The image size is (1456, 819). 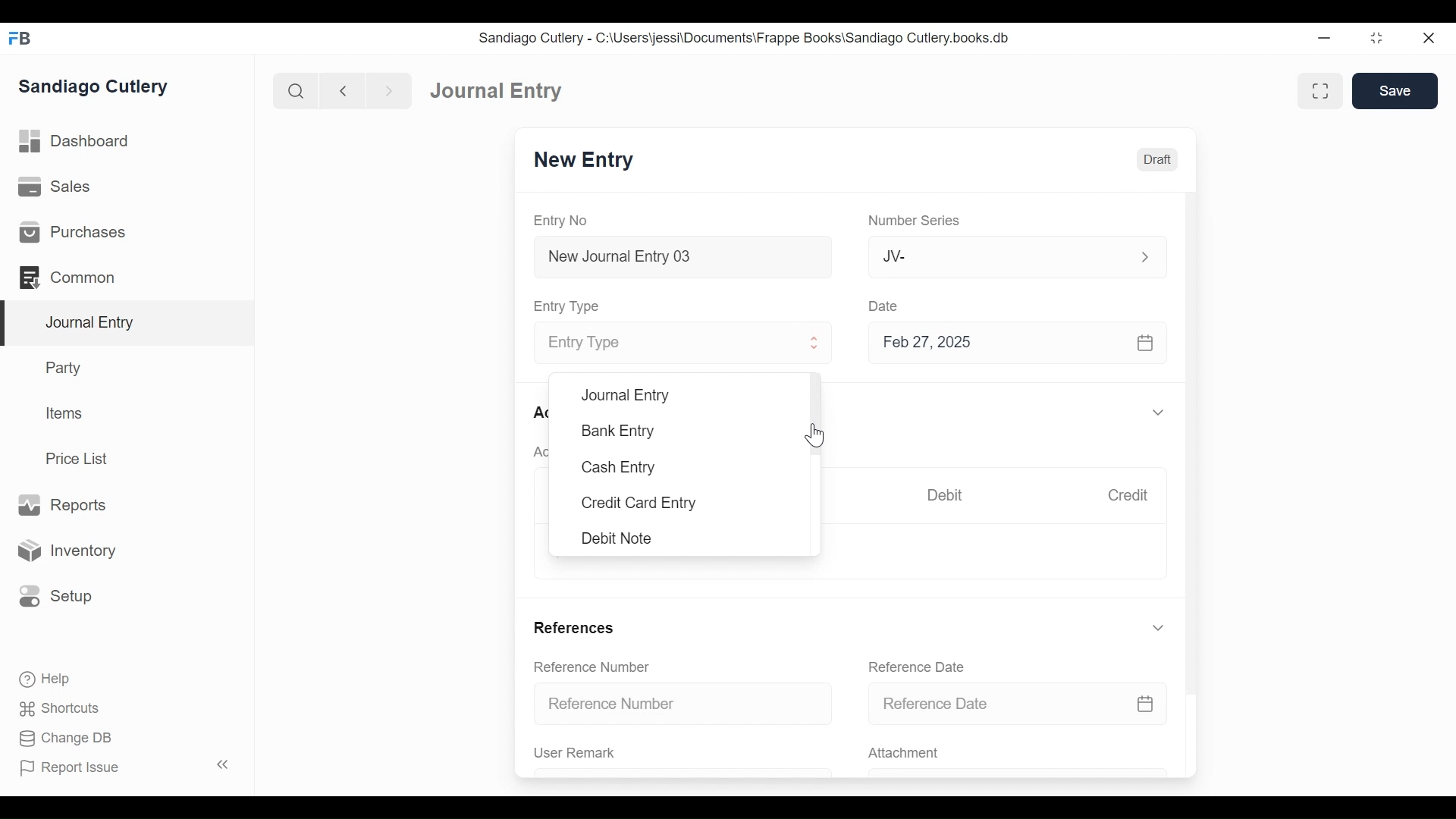 I want to click on Expand, so click(x=1143, y=256).